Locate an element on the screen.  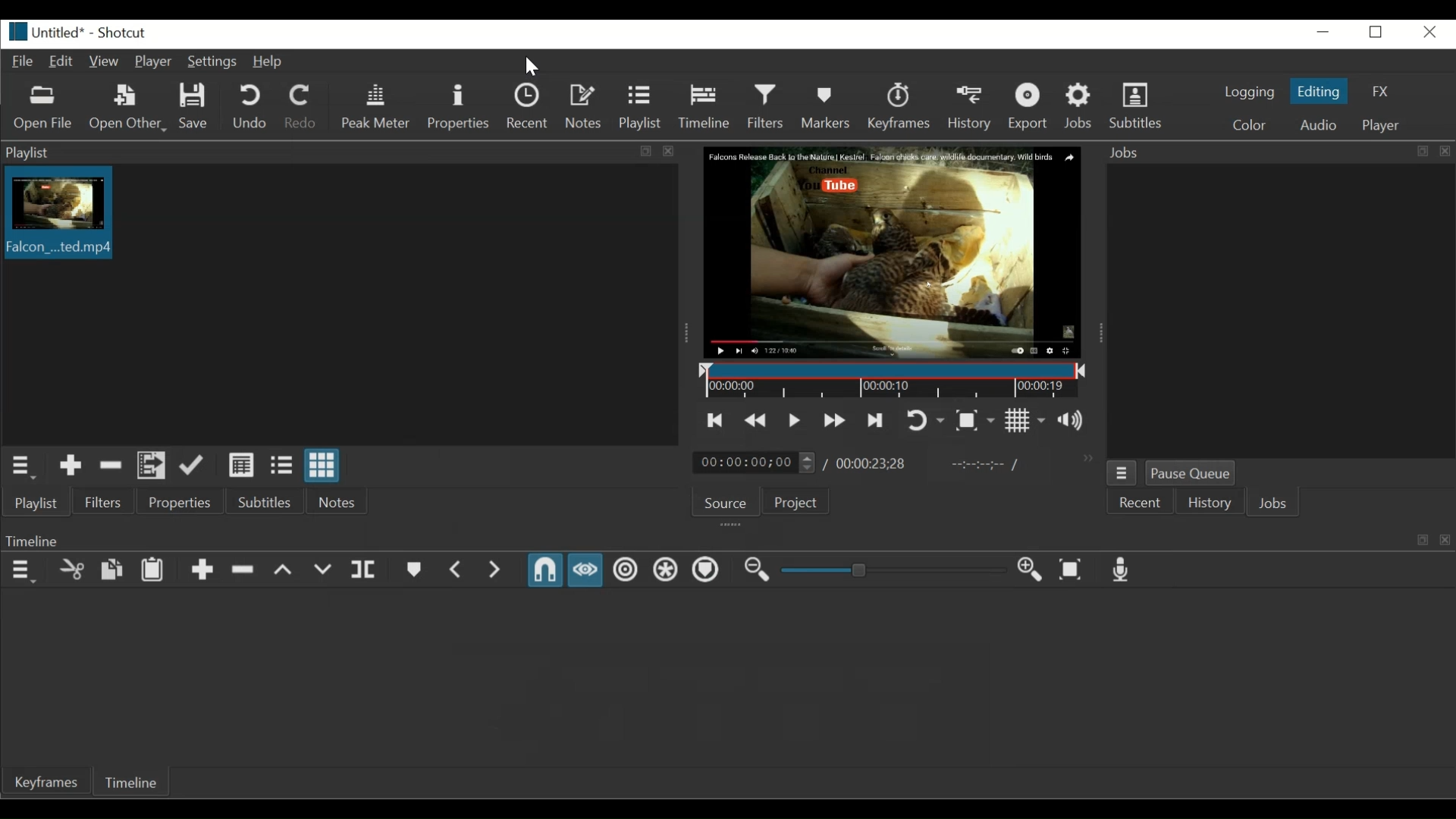
History is located at coordinates (1211, 503).